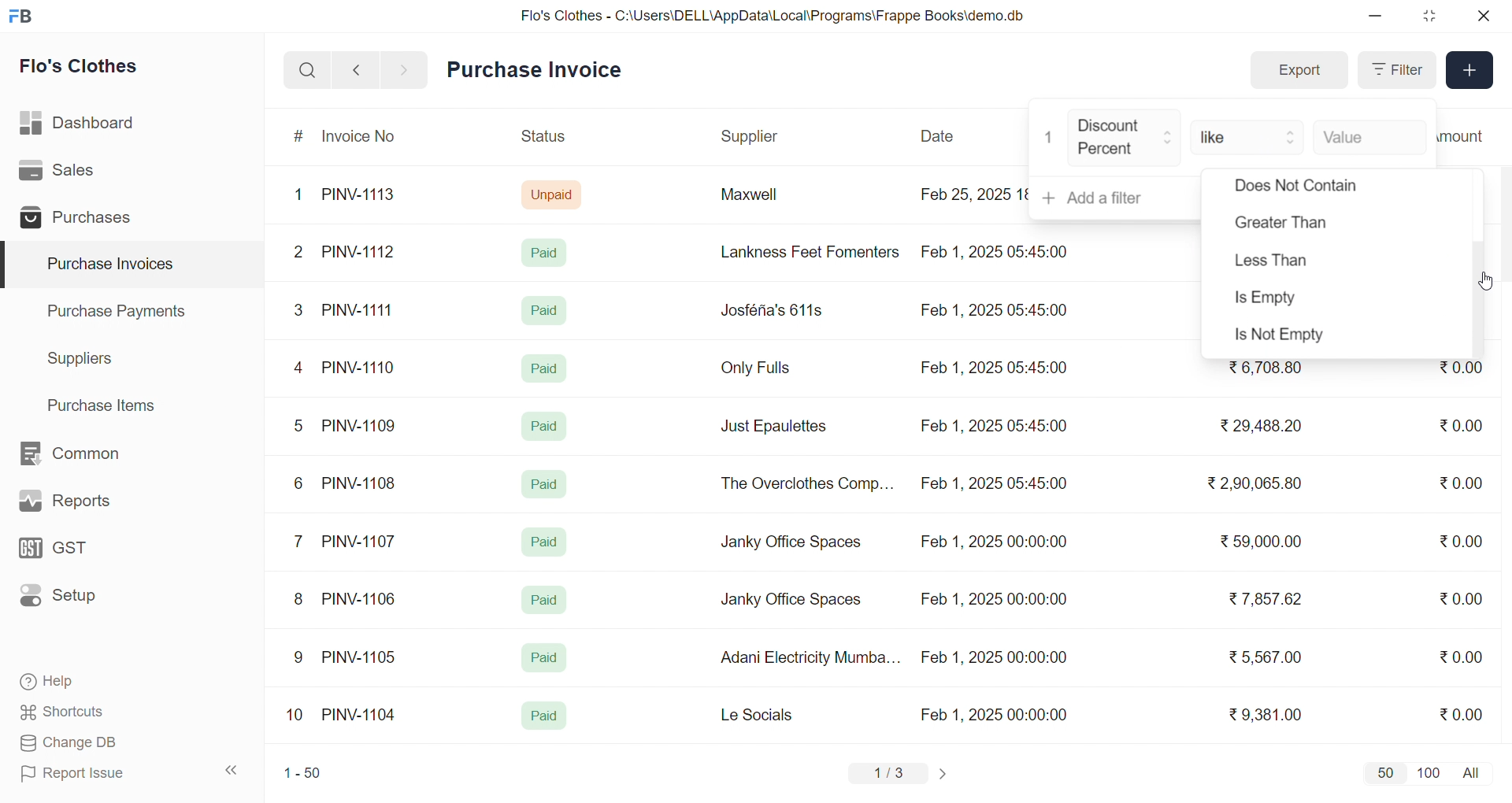 Image resolution: width=1512 pixels, height=803 pixels. I want to click on PINV-1113, so click(365, 196).